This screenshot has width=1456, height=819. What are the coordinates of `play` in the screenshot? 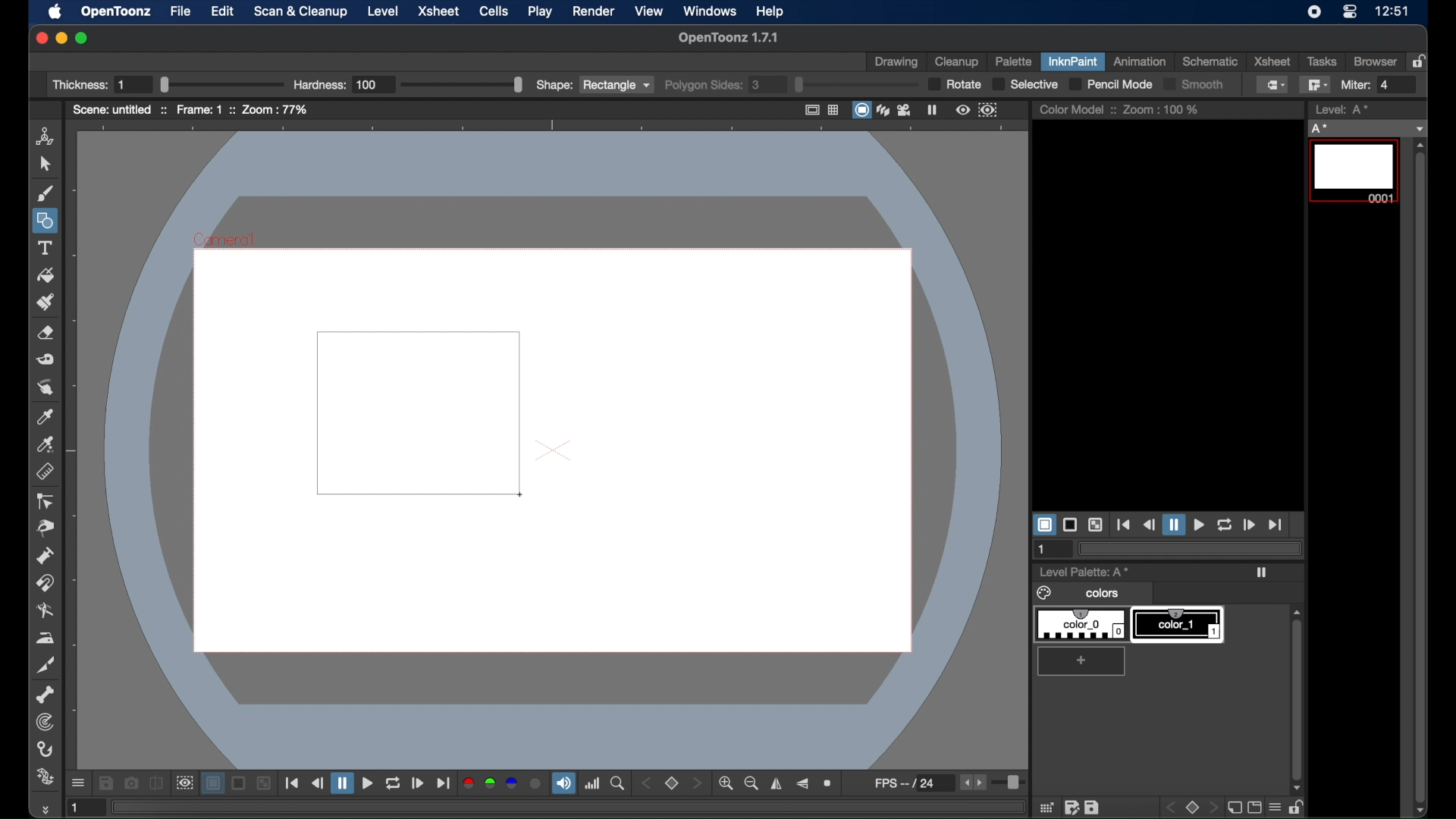 It's located at (541, 11).